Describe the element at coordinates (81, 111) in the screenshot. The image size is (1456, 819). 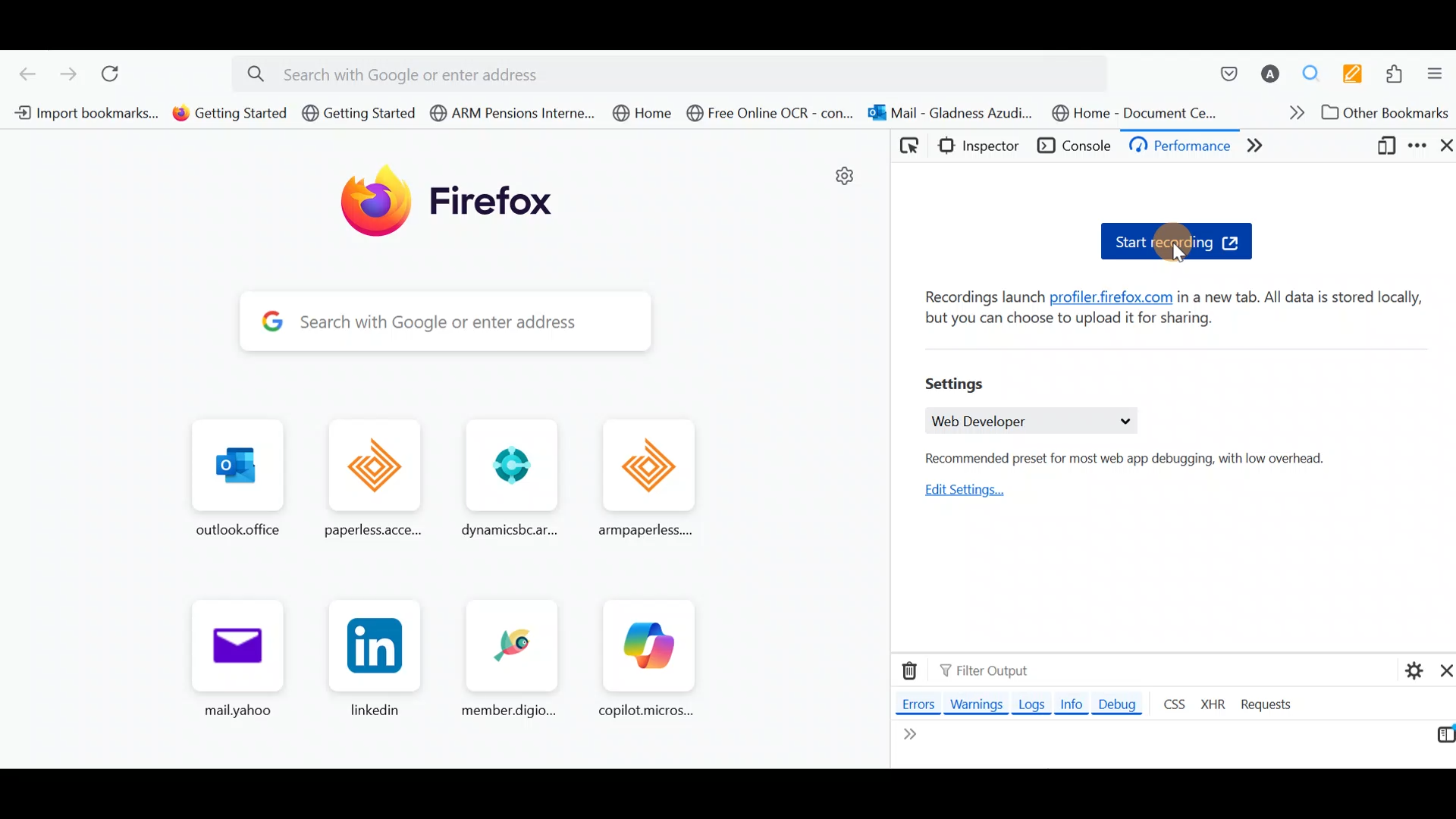
I see `Bookmark 1` at that location.